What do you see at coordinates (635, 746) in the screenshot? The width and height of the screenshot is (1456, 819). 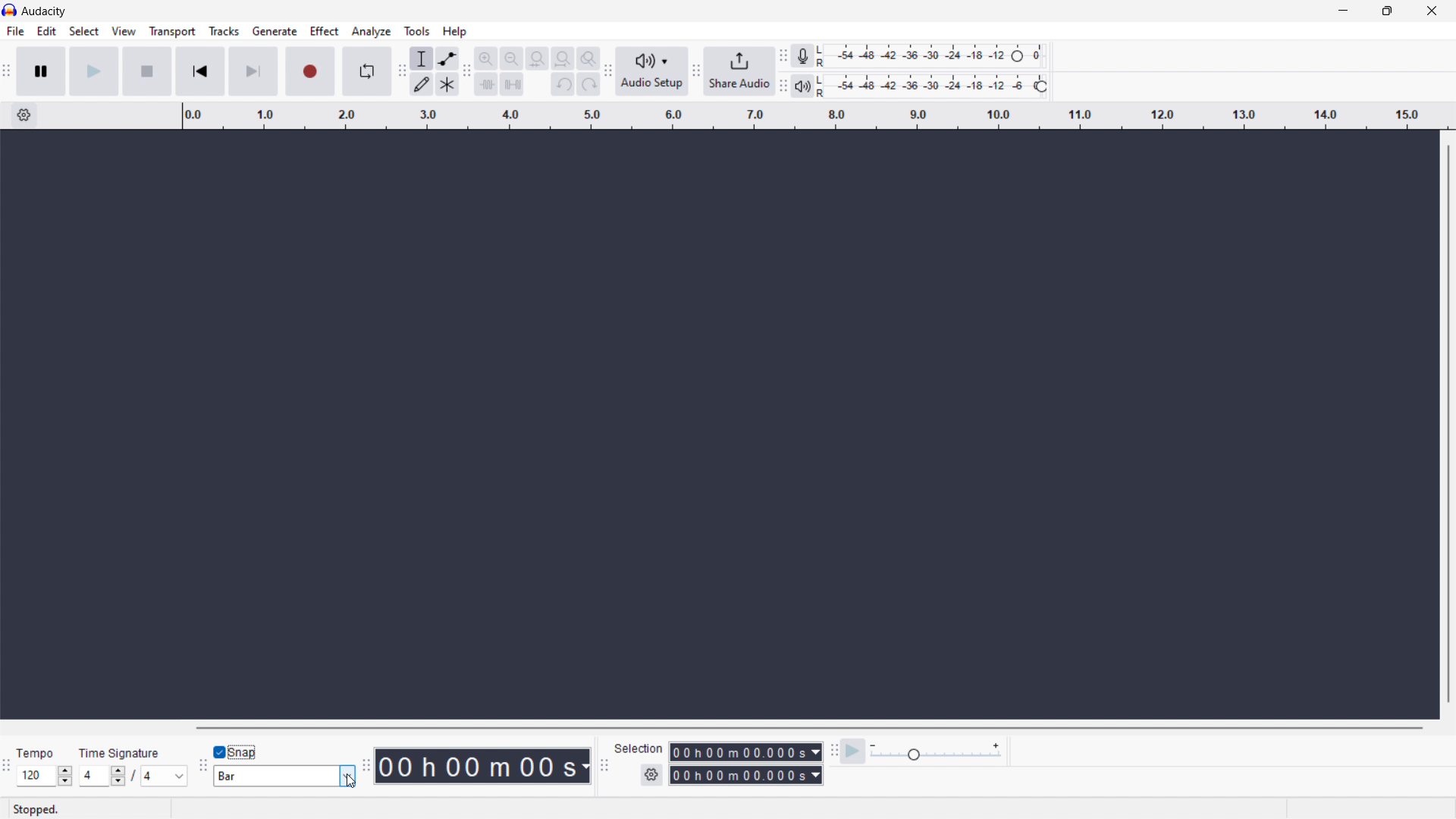 I see `Selection` at bounding box center [635, 746].